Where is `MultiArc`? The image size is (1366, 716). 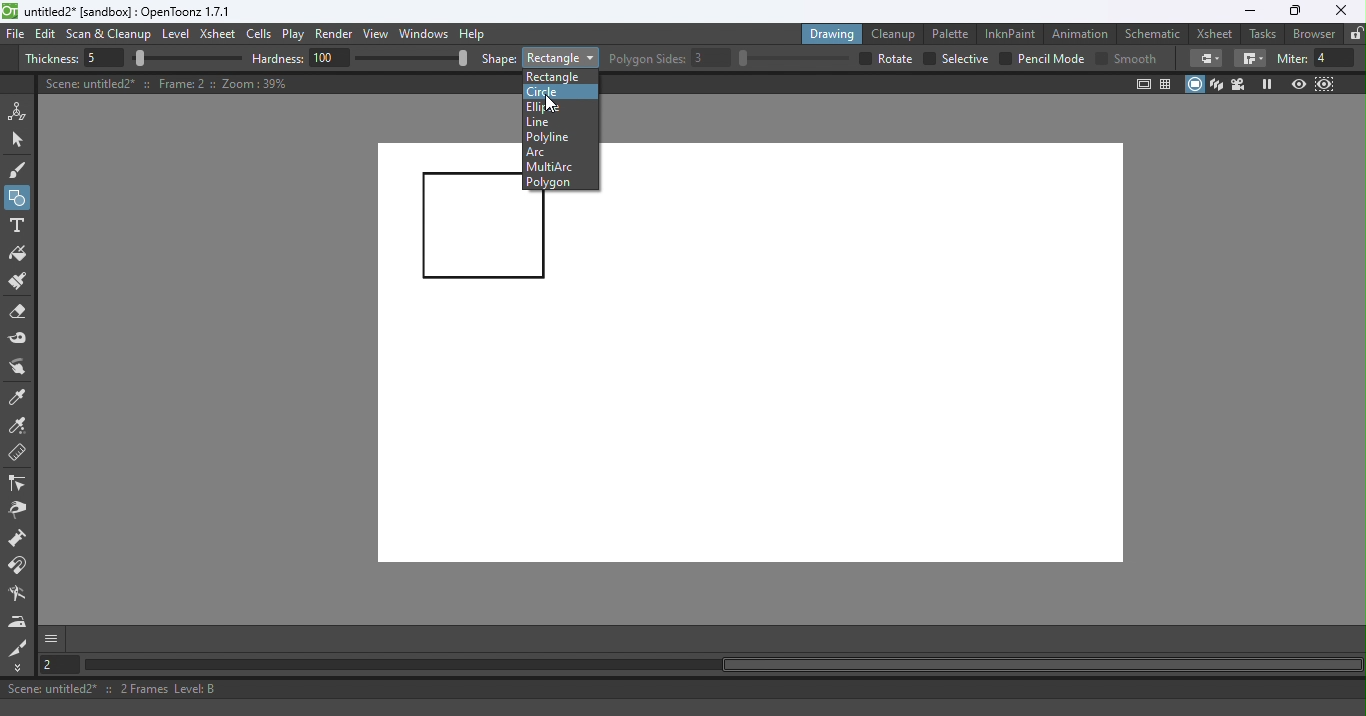 MultiArc is located at coordinates (556, 167).